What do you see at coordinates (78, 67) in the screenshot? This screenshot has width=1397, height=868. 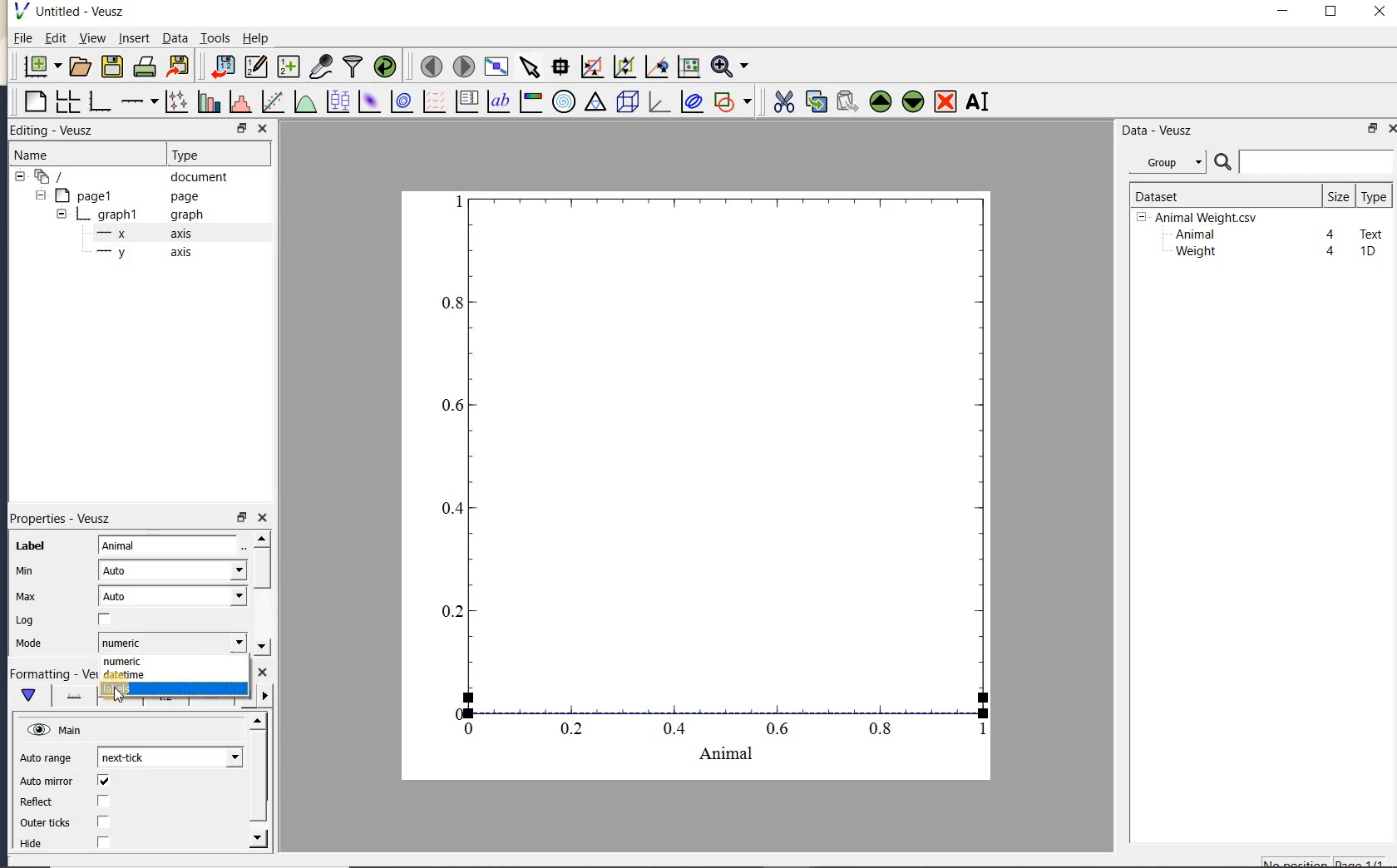 I see `open a document` at bounding box center [78, 67].